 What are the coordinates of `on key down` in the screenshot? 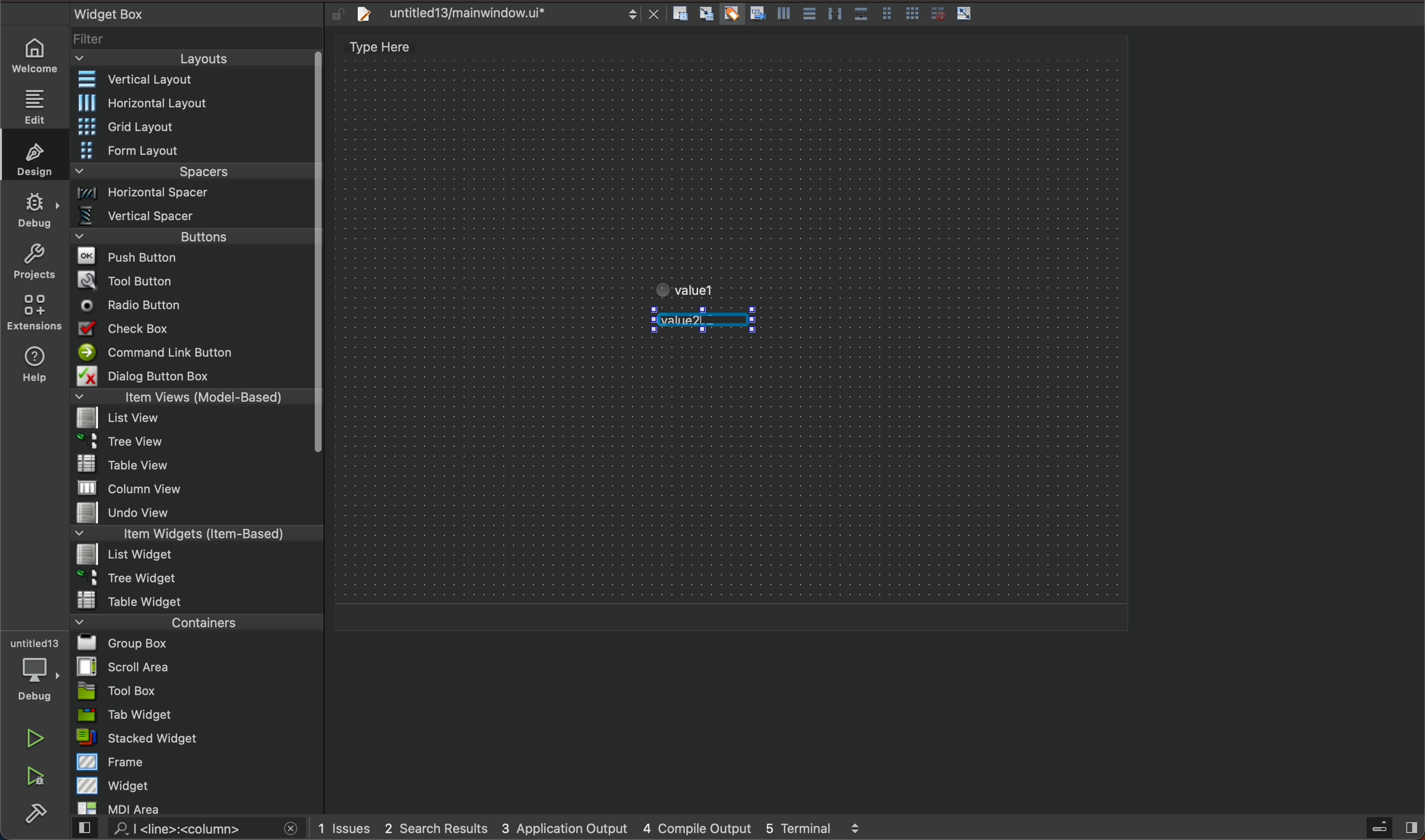 It's located at (135, 306).